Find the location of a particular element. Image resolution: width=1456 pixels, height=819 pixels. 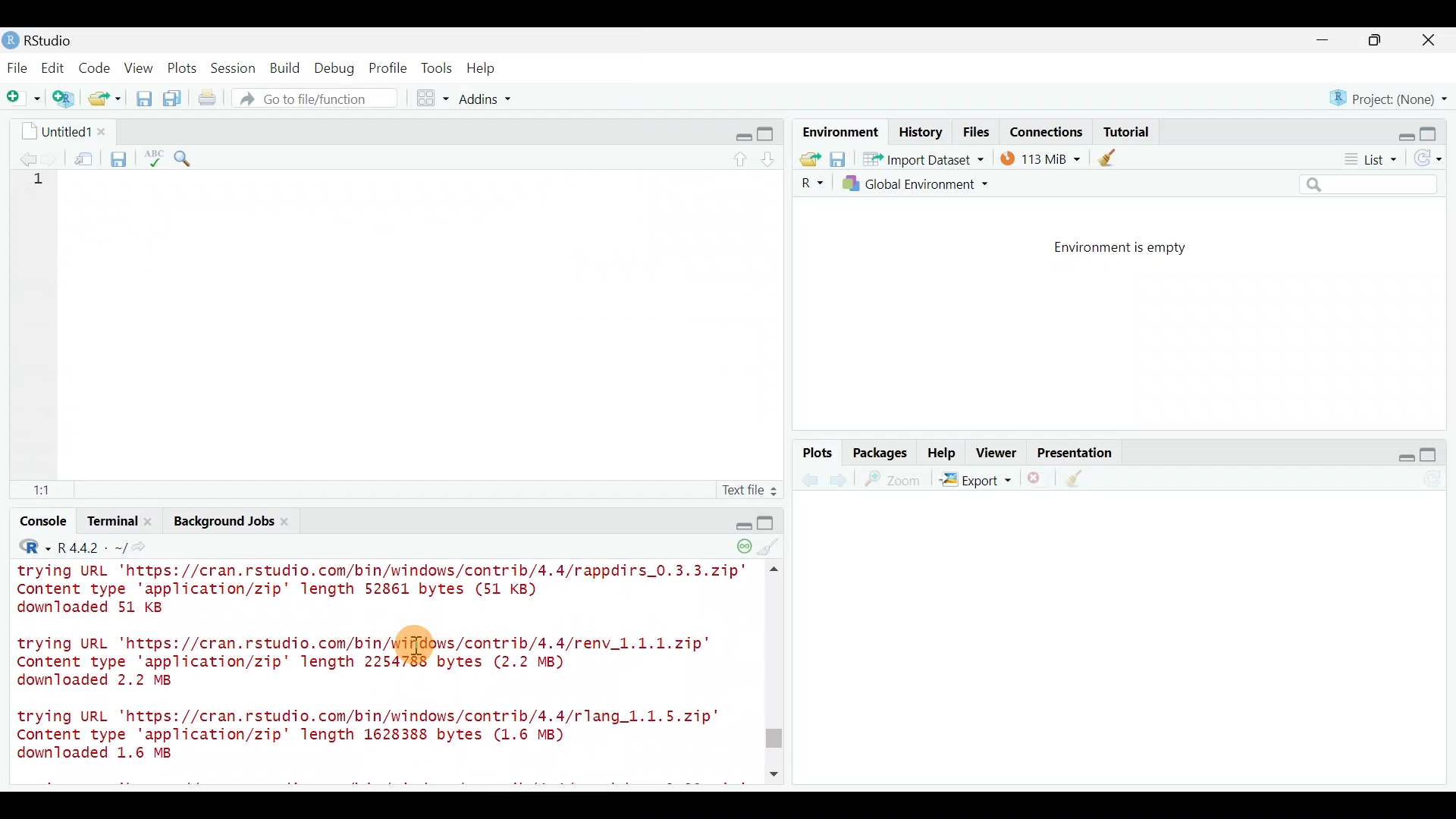

Plots is located at coordinates (183, 65).